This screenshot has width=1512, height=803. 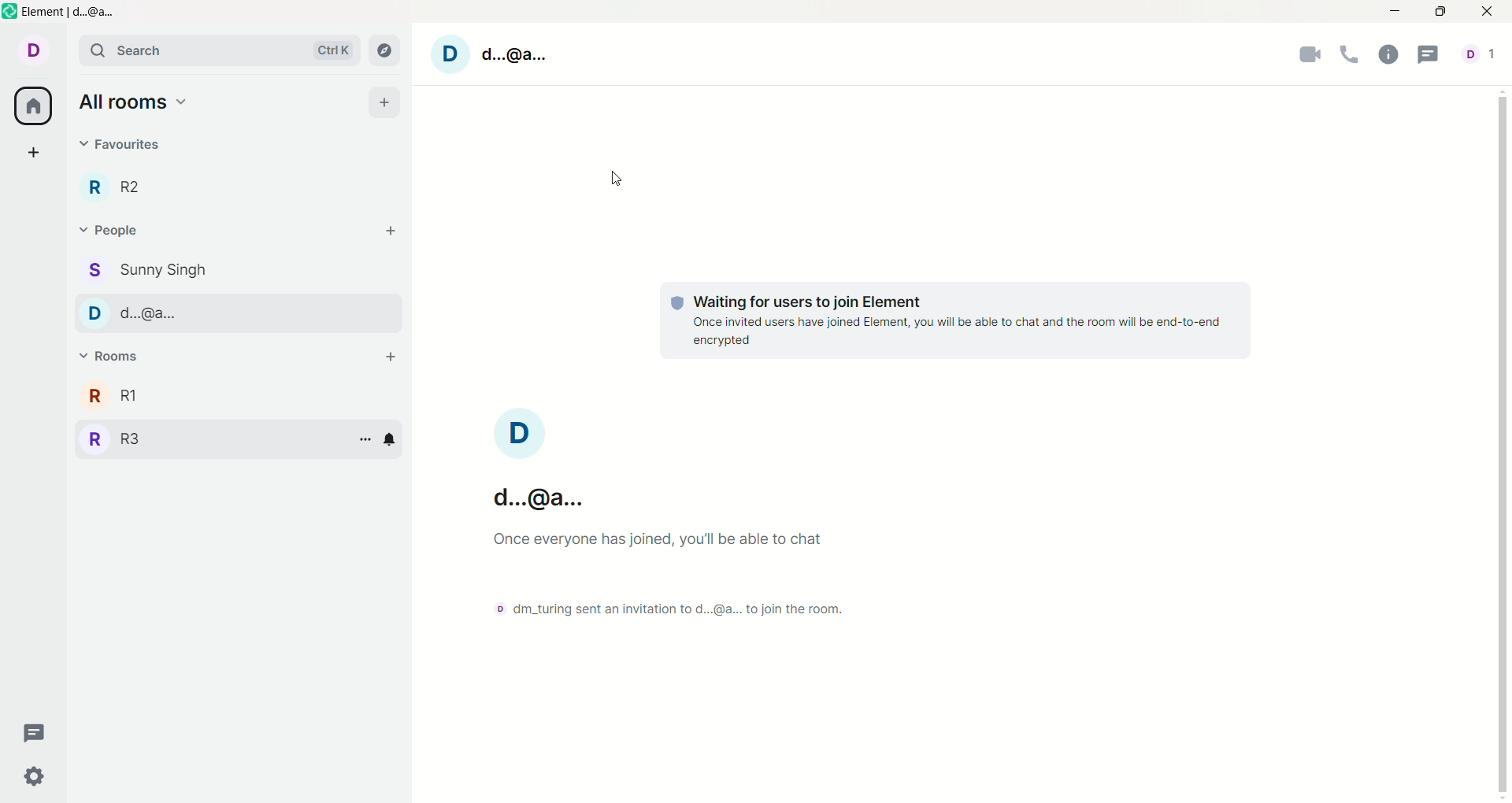 What do you see at coordinates (365, 439) in the screenshot?
I see `options` at bounding box center [365, 439].